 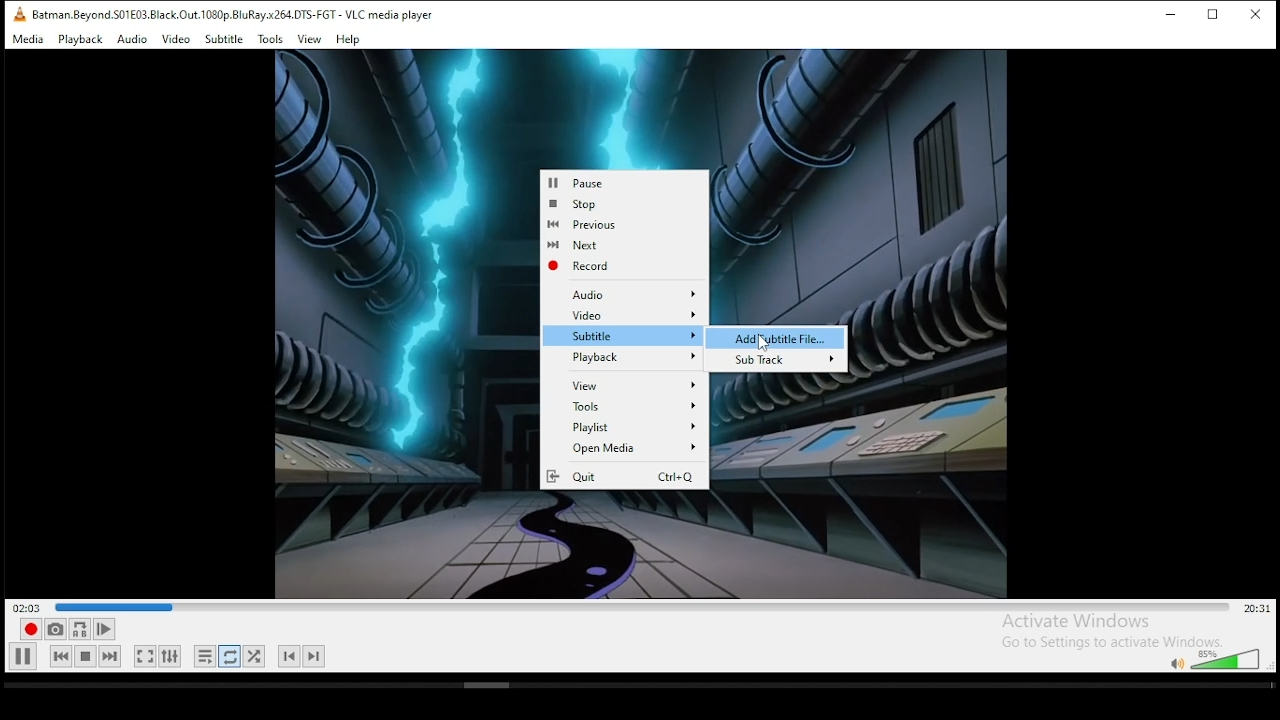 What do you see at coordinates (1228, 658) in the screenshot?
I see `volume` at bounding box center [1228, 658].